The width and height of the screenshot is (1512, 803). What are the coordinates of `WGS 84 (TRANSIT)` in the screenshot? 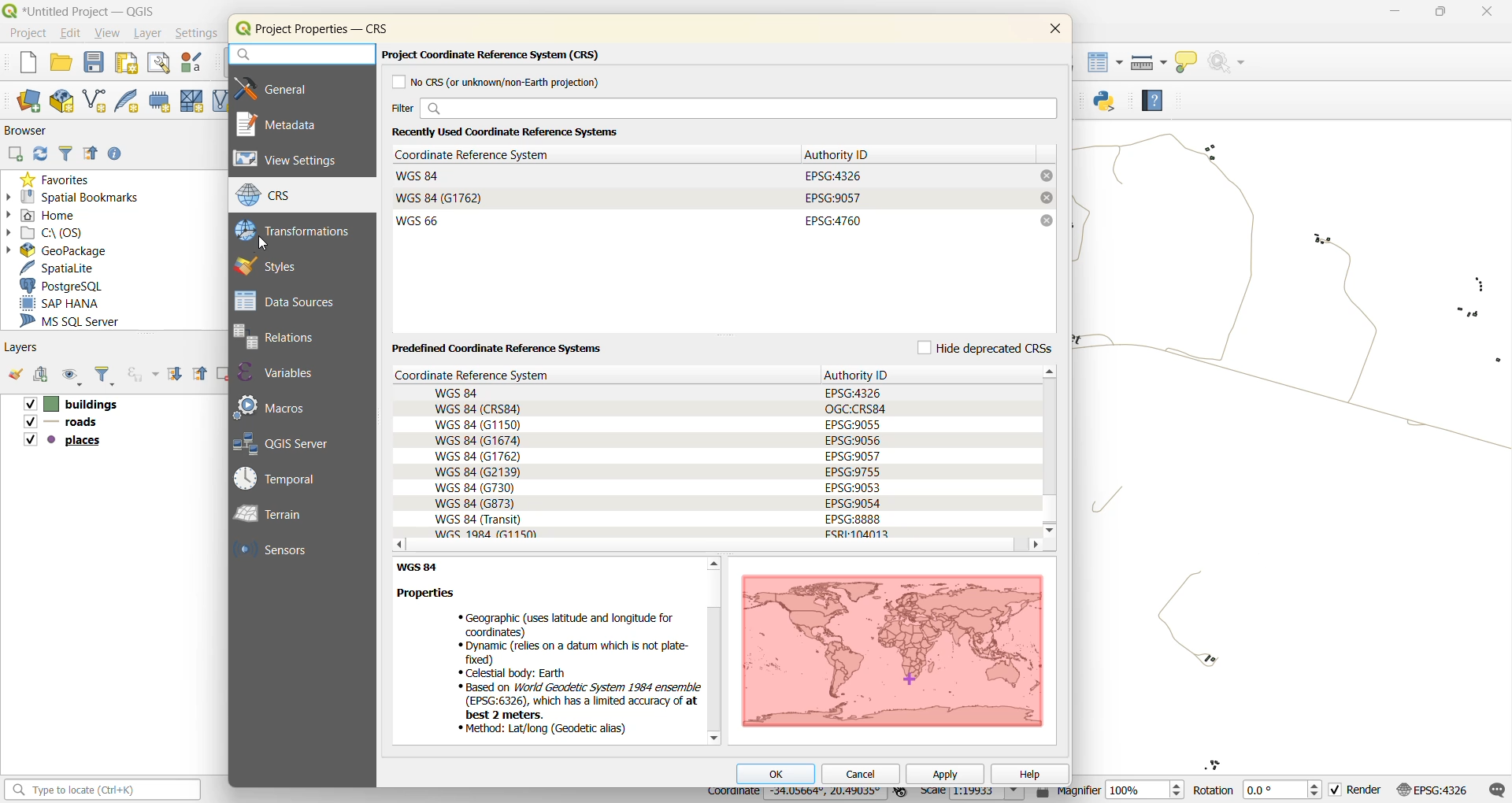 It's located at (479, 520).